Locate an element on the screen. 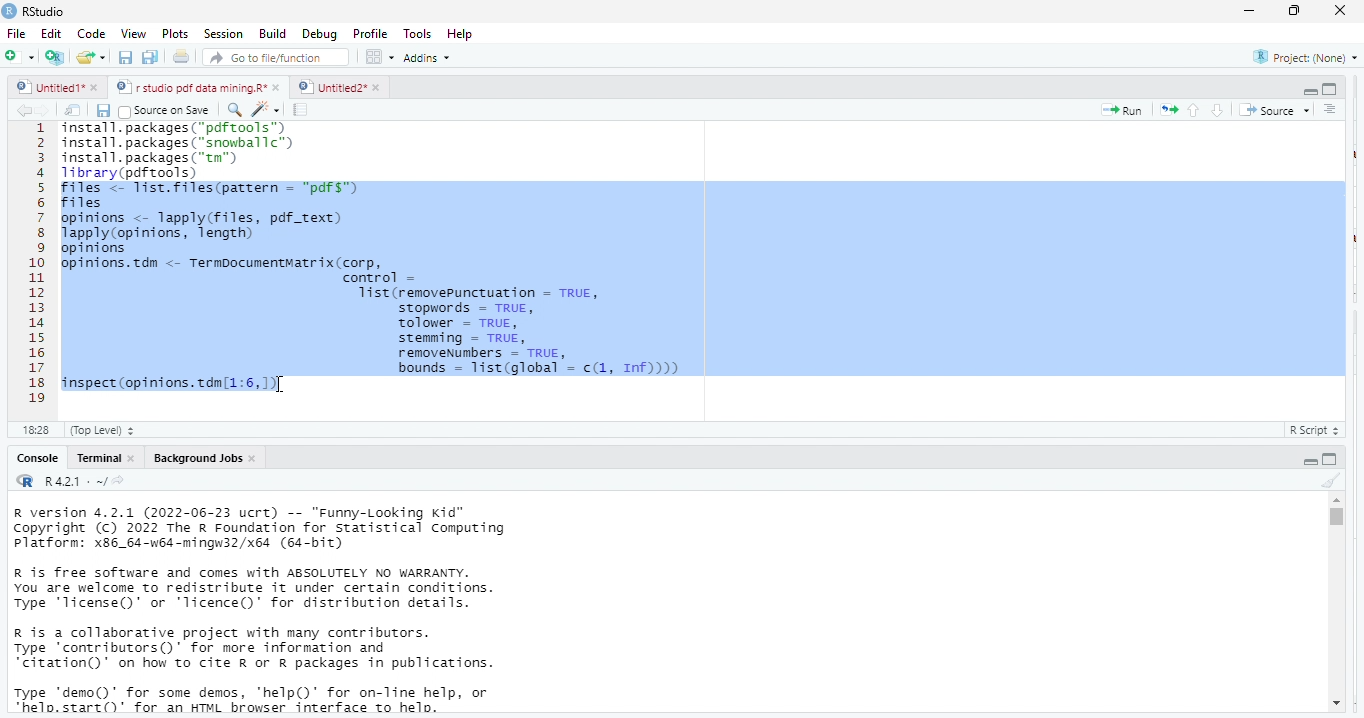  create a project is located at coordinates (53, 57).